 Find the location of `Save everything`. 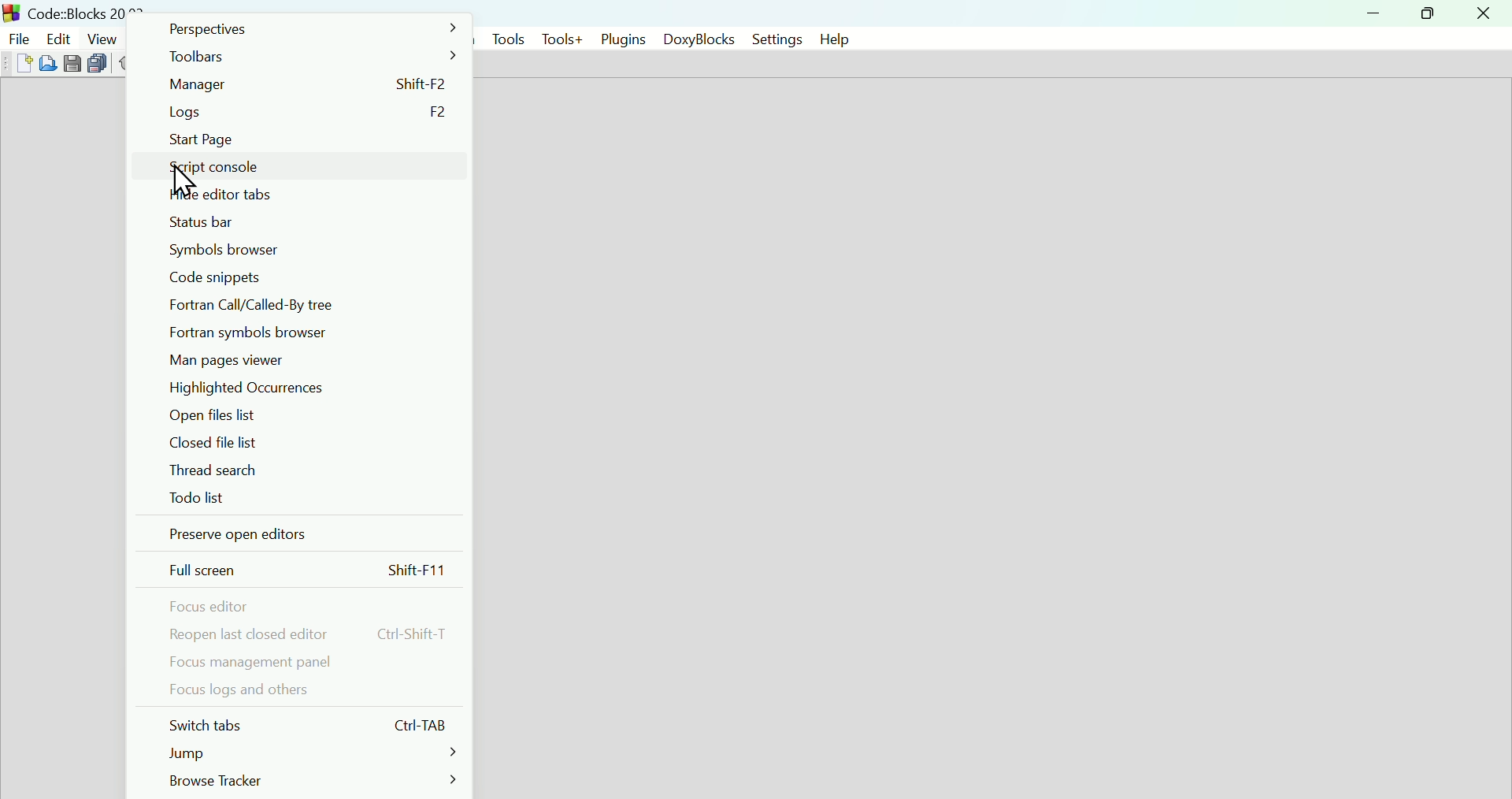

Save everything is located at coordinates (99, 65).